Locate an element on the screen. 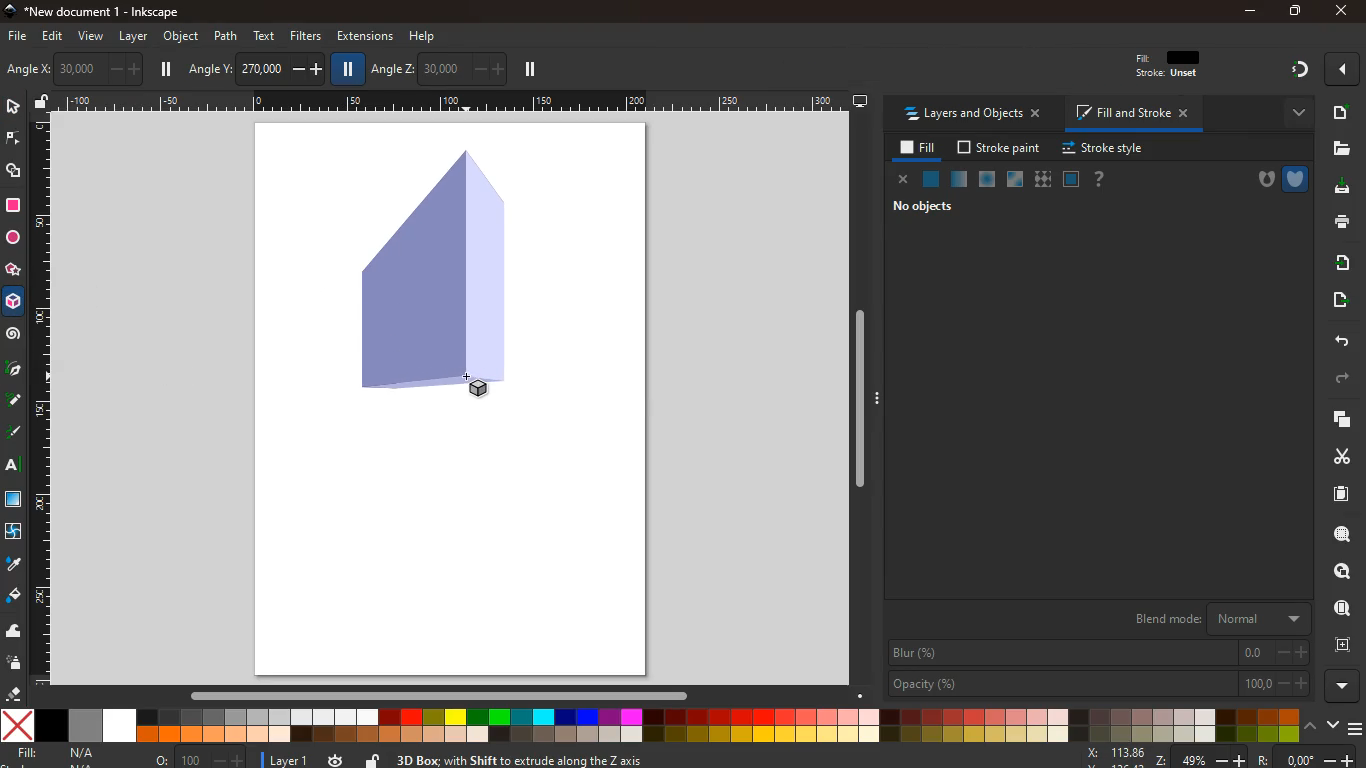  square is located at coordinates (13, 205).